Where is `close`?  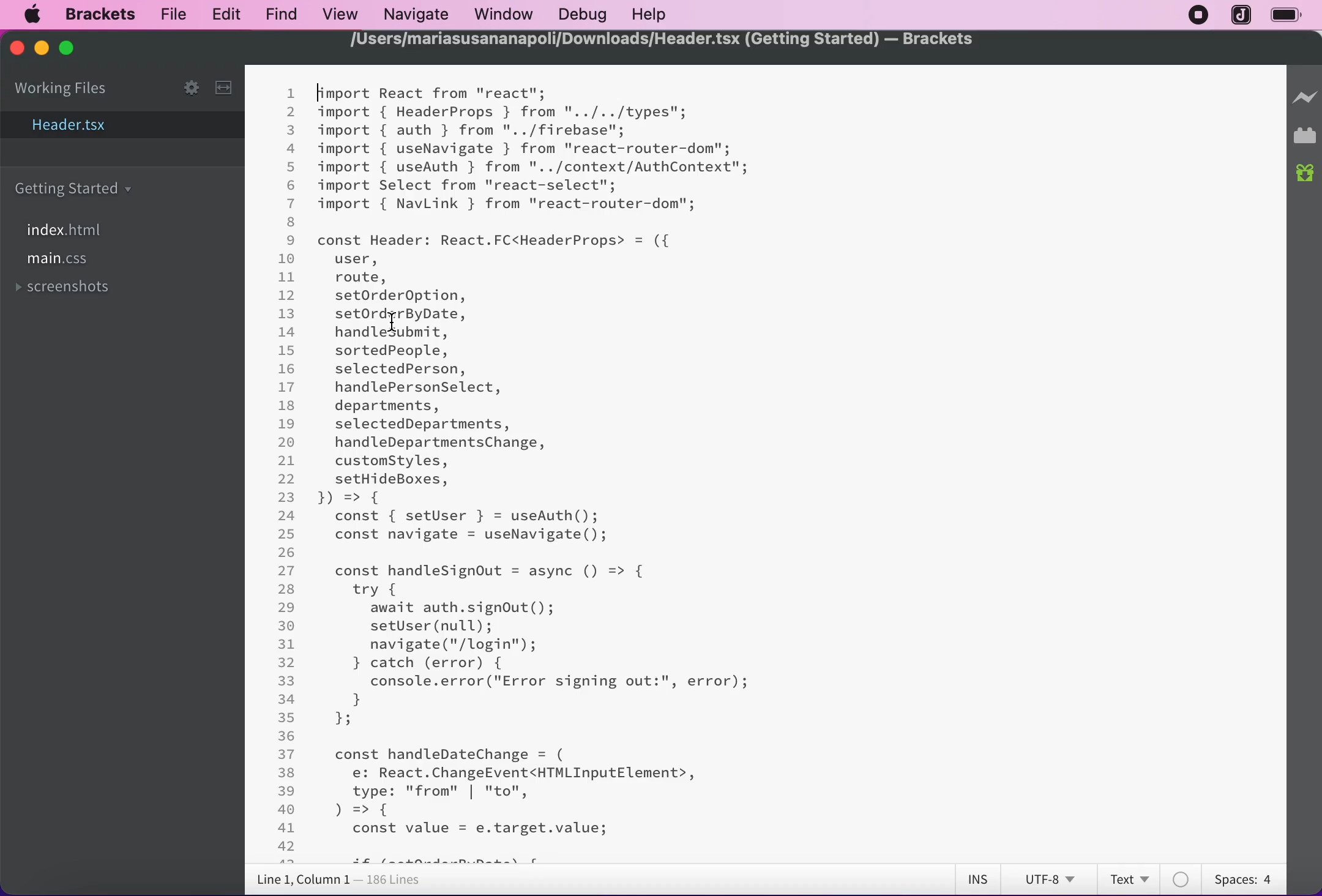
close is located at coordinates (18, 48).